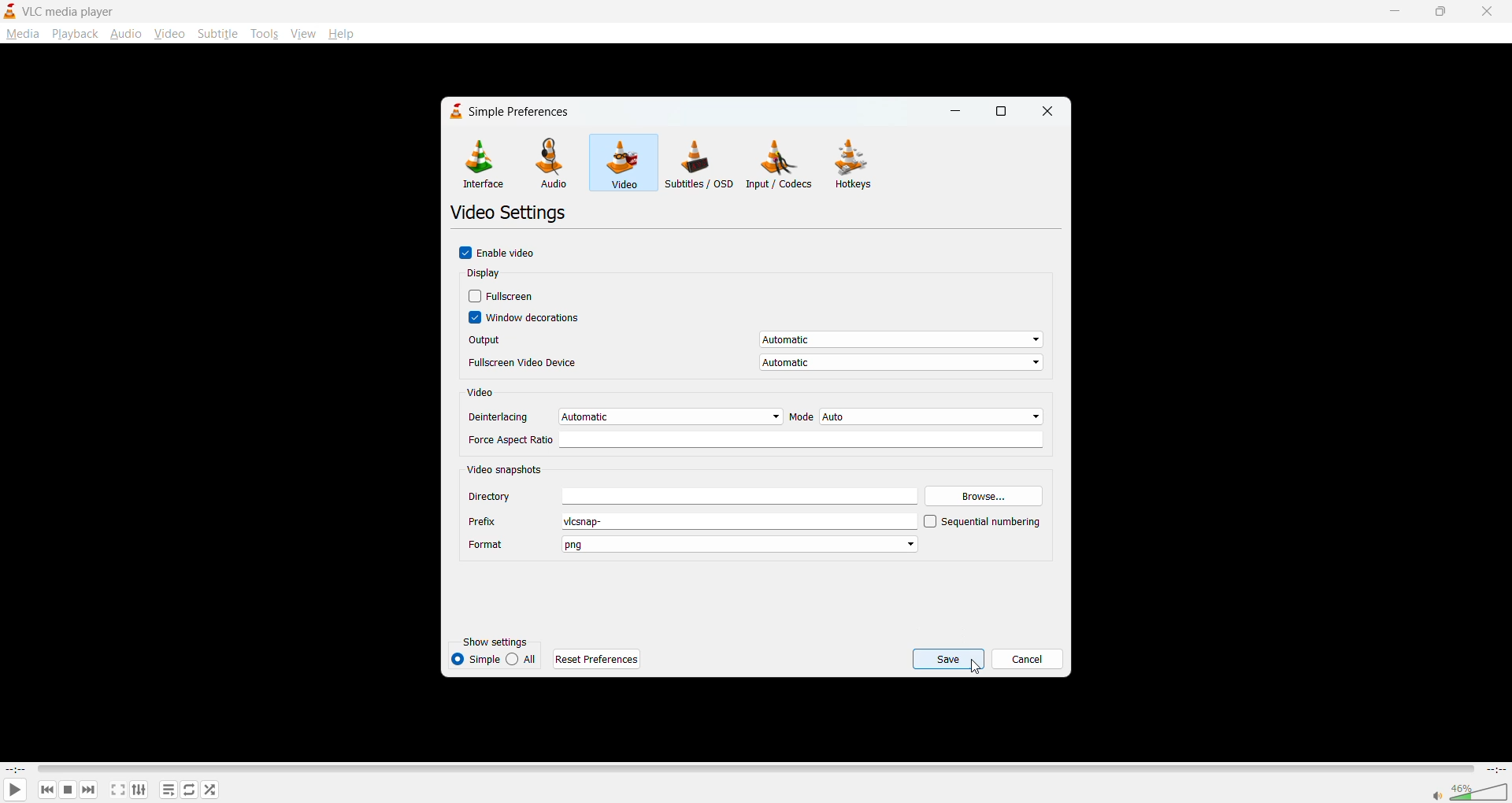 This screenshot has width=1512, height=803. What do you see at coordinates (65, 790) in the screenshot?
I see `stop` at bounding box center [65, 790].